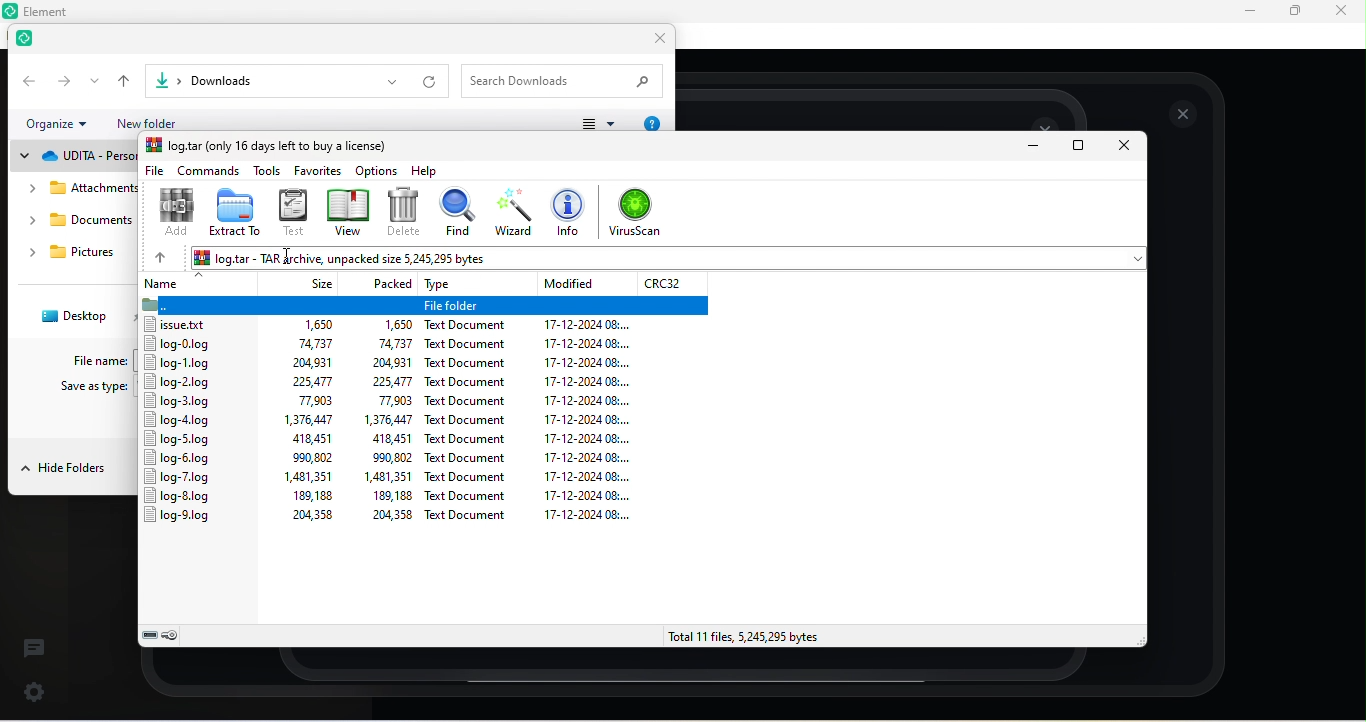 This screenshot has width=1366, height=722. I want to click on save as, so click(92, 387).